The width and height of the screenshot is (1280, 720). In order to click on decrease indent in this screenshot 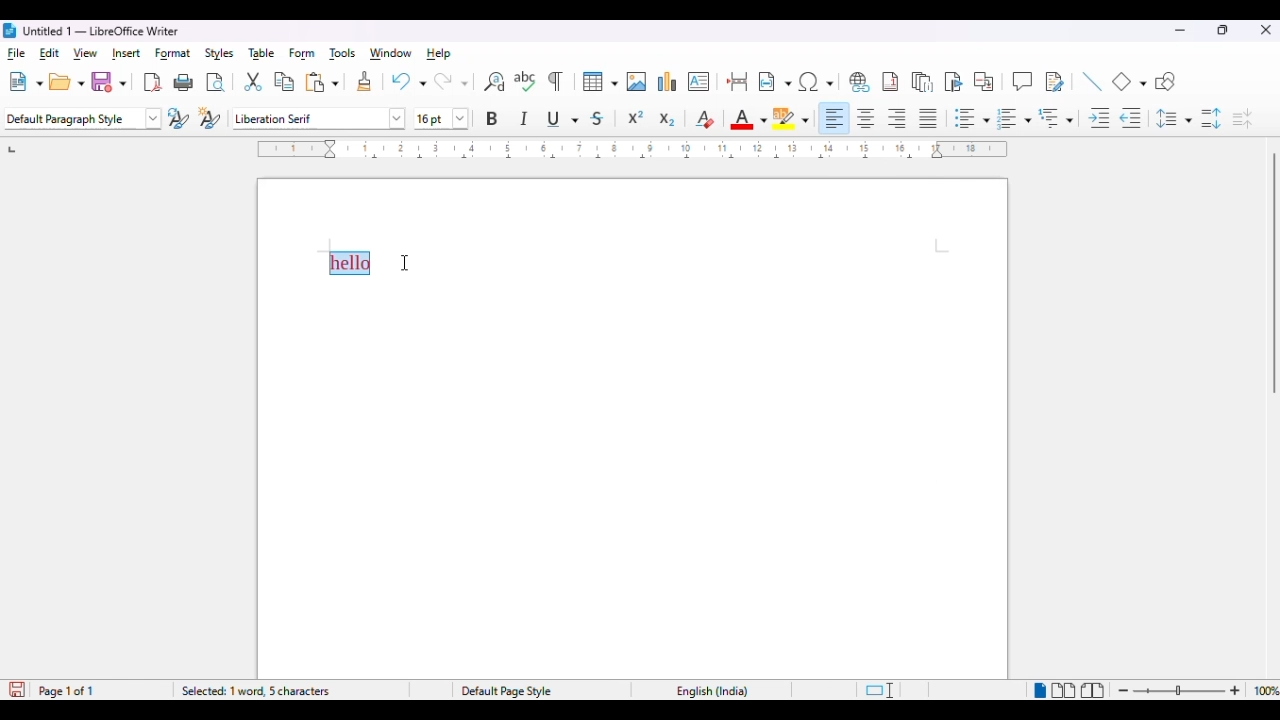, I will do `click(1132, 119)`.